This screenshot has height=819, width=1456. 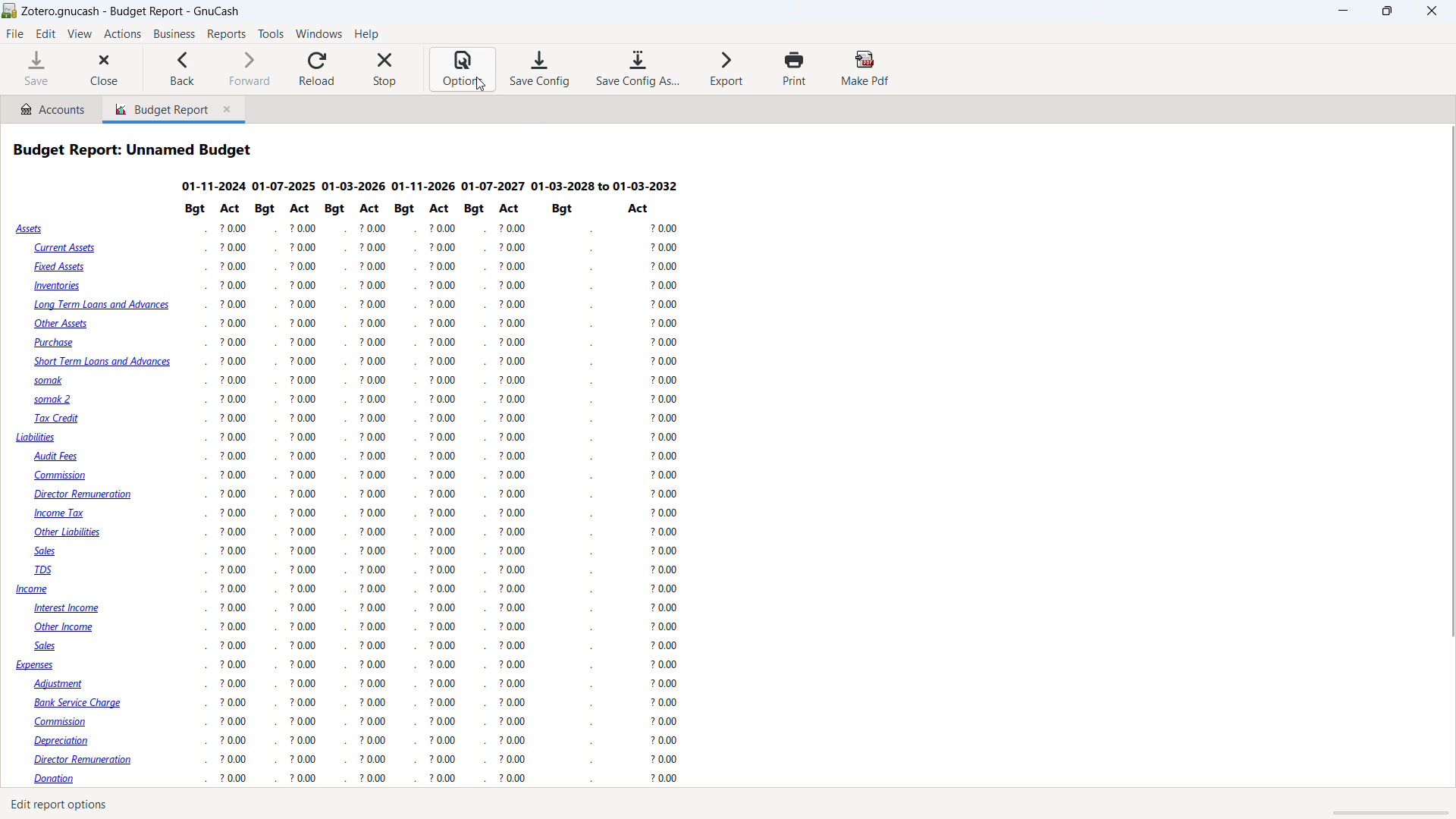 I want to click on Commission, so click(x=64, y=476).